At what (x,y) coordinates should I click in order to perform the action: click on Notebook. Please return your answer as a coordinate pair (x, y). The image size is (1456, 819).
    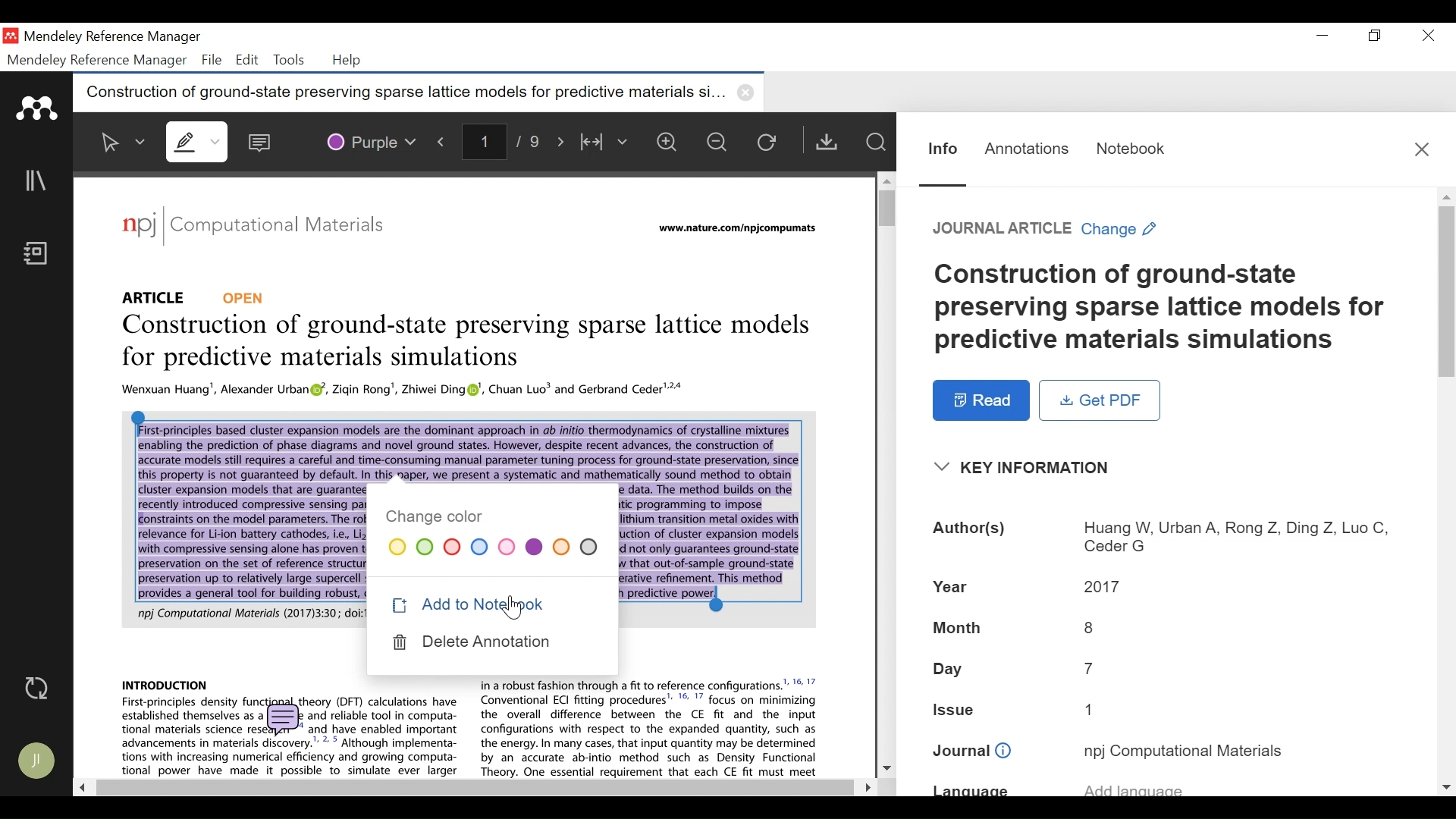
    Looking at the image, I should click on (40, 255).